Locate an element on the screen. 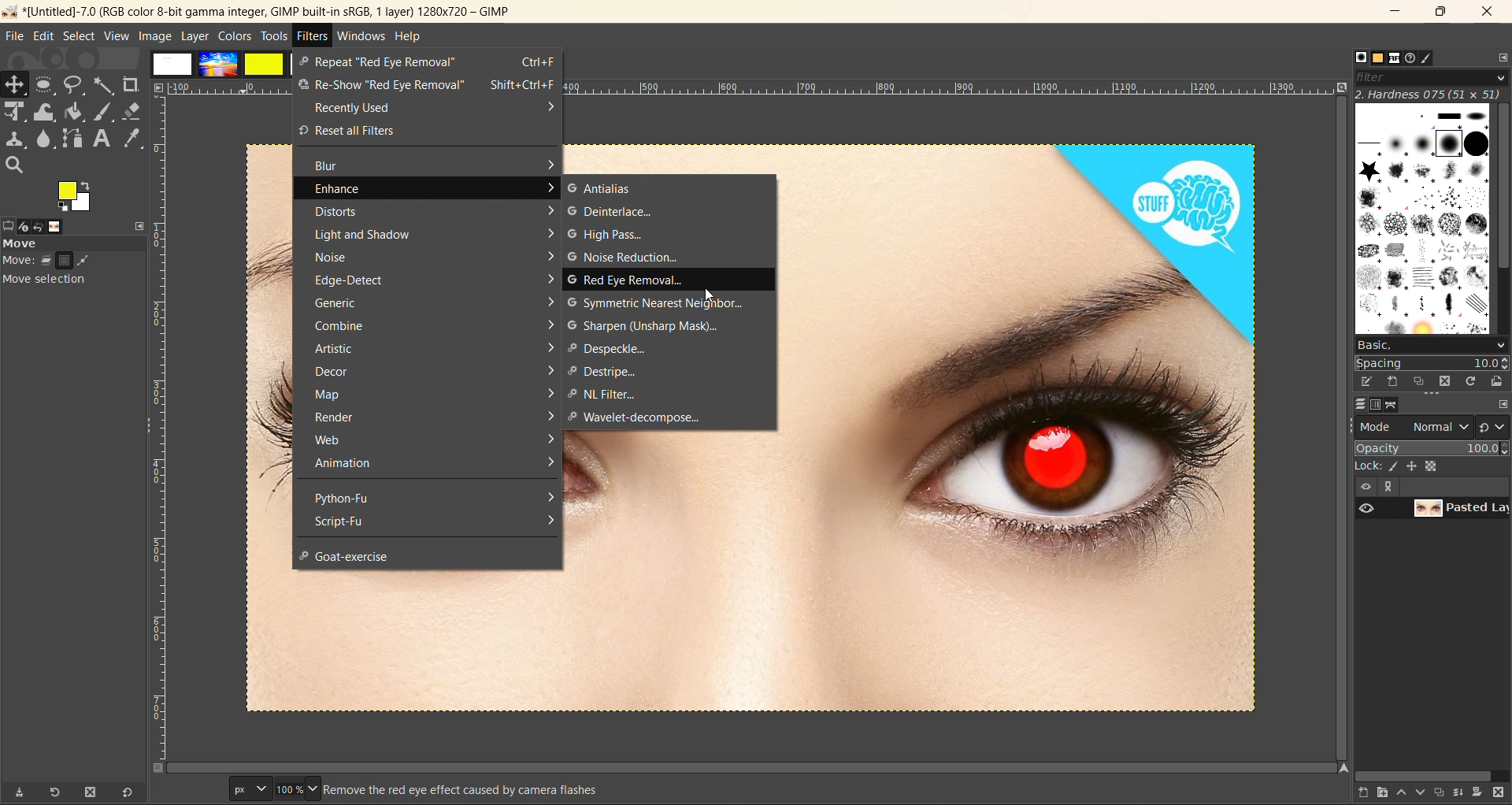 This screenshot has height=805, width=1512. ink is located at coordinates (1394, 466).